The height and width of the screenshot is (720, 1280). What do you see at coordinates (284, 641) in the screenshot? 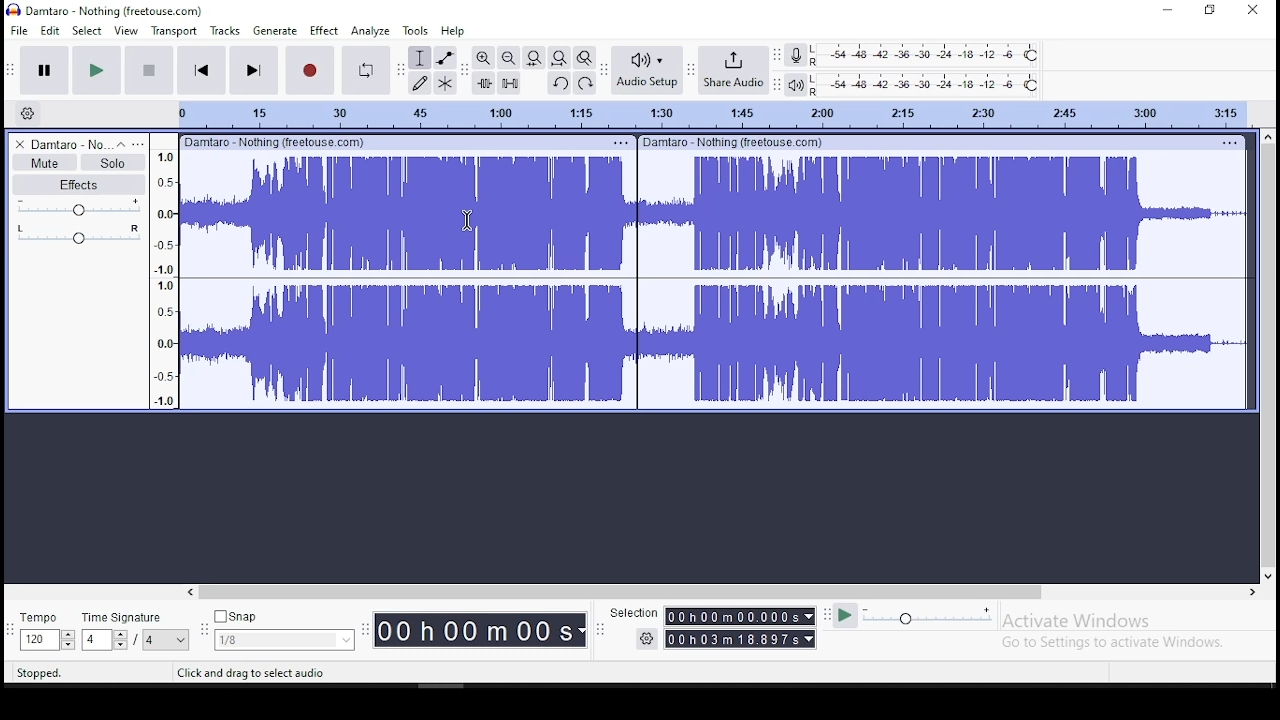
I see `snap` at bounding box center [284, 641].